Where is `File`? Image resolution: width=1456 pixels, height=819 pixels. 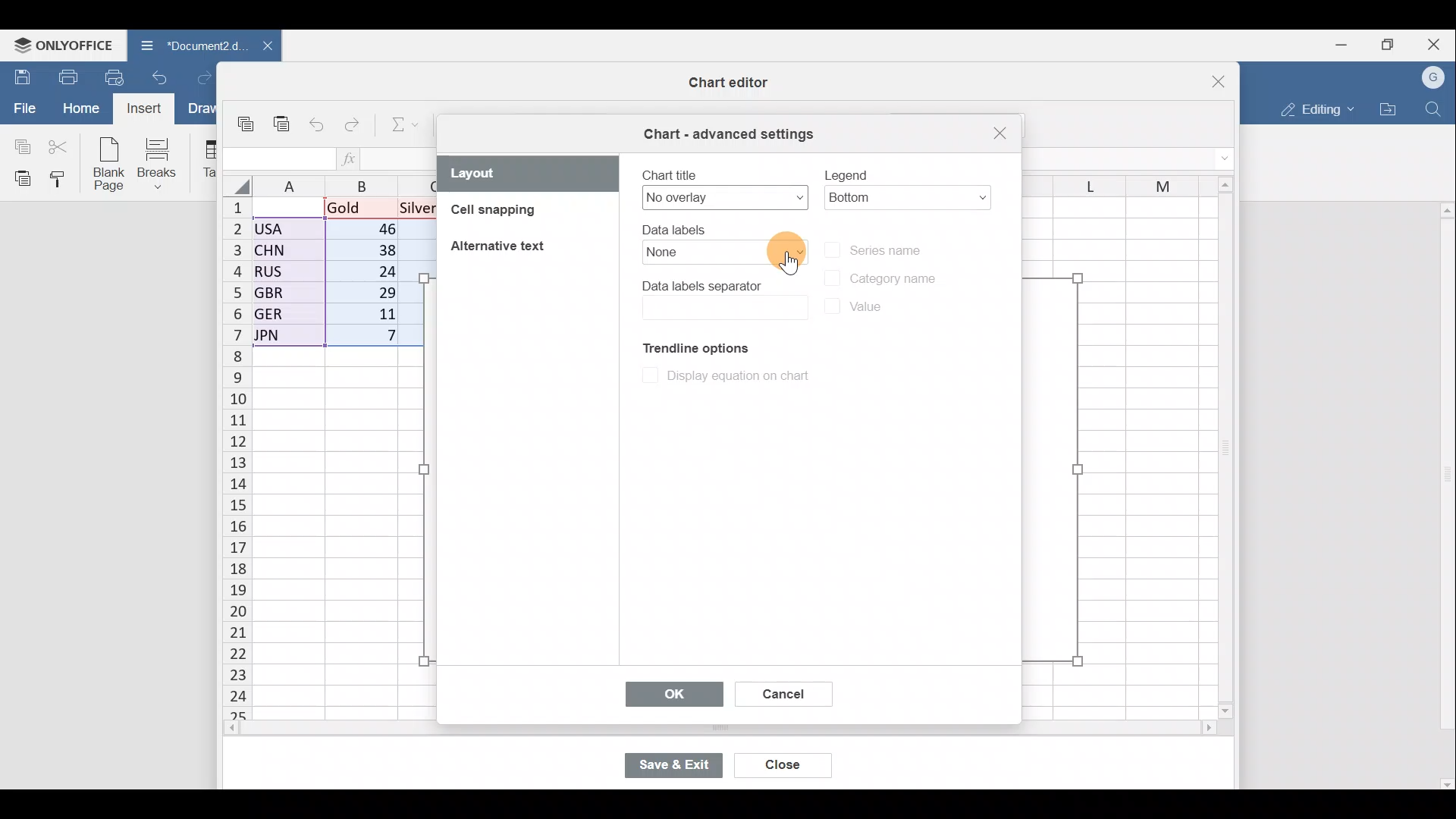 File is located at coordinates (23, 107).